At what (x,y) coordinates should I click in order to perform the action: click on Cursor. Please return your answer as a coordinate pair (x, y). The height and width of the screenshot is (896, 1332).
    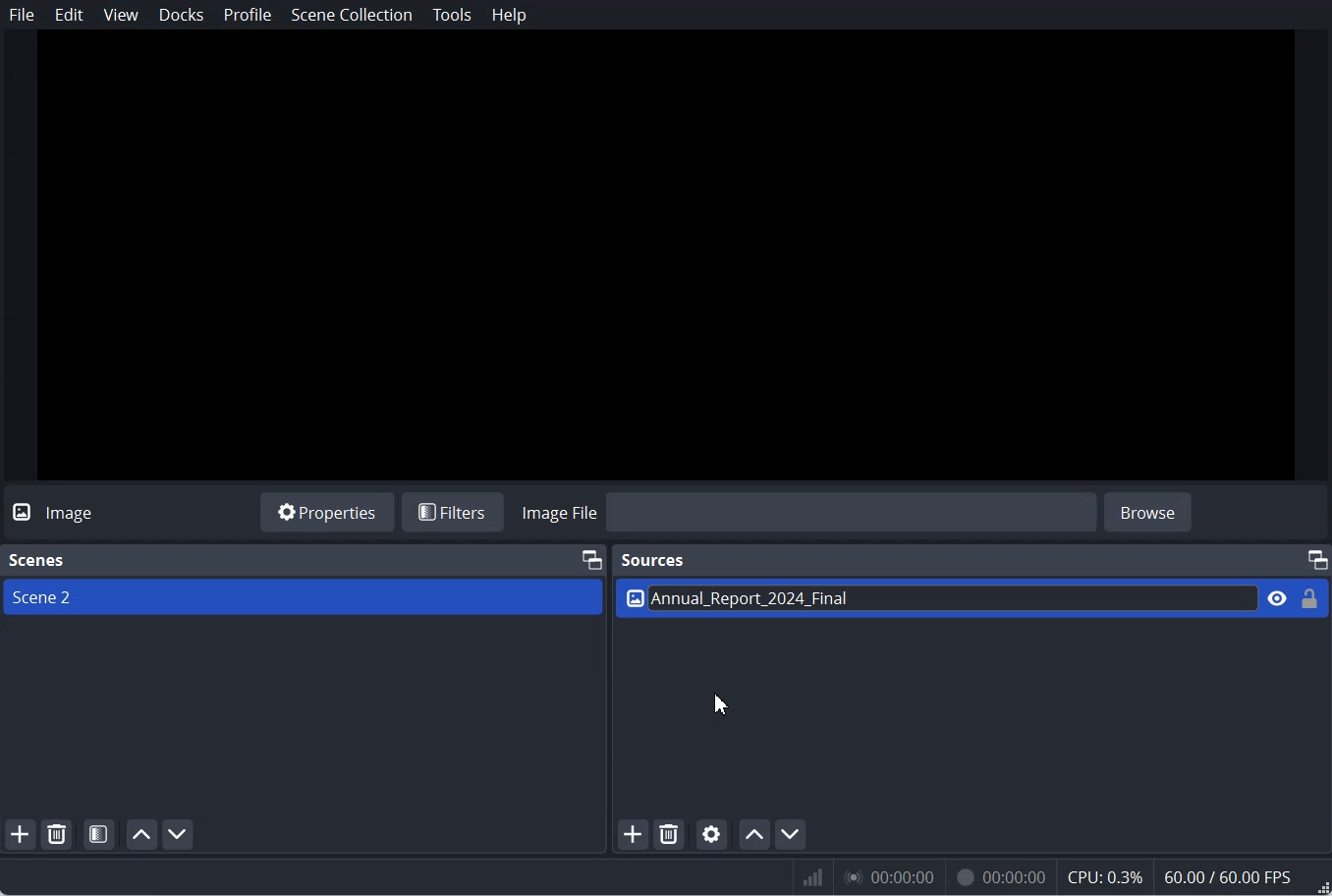
    Looking at the image, I should click on (722, 703).